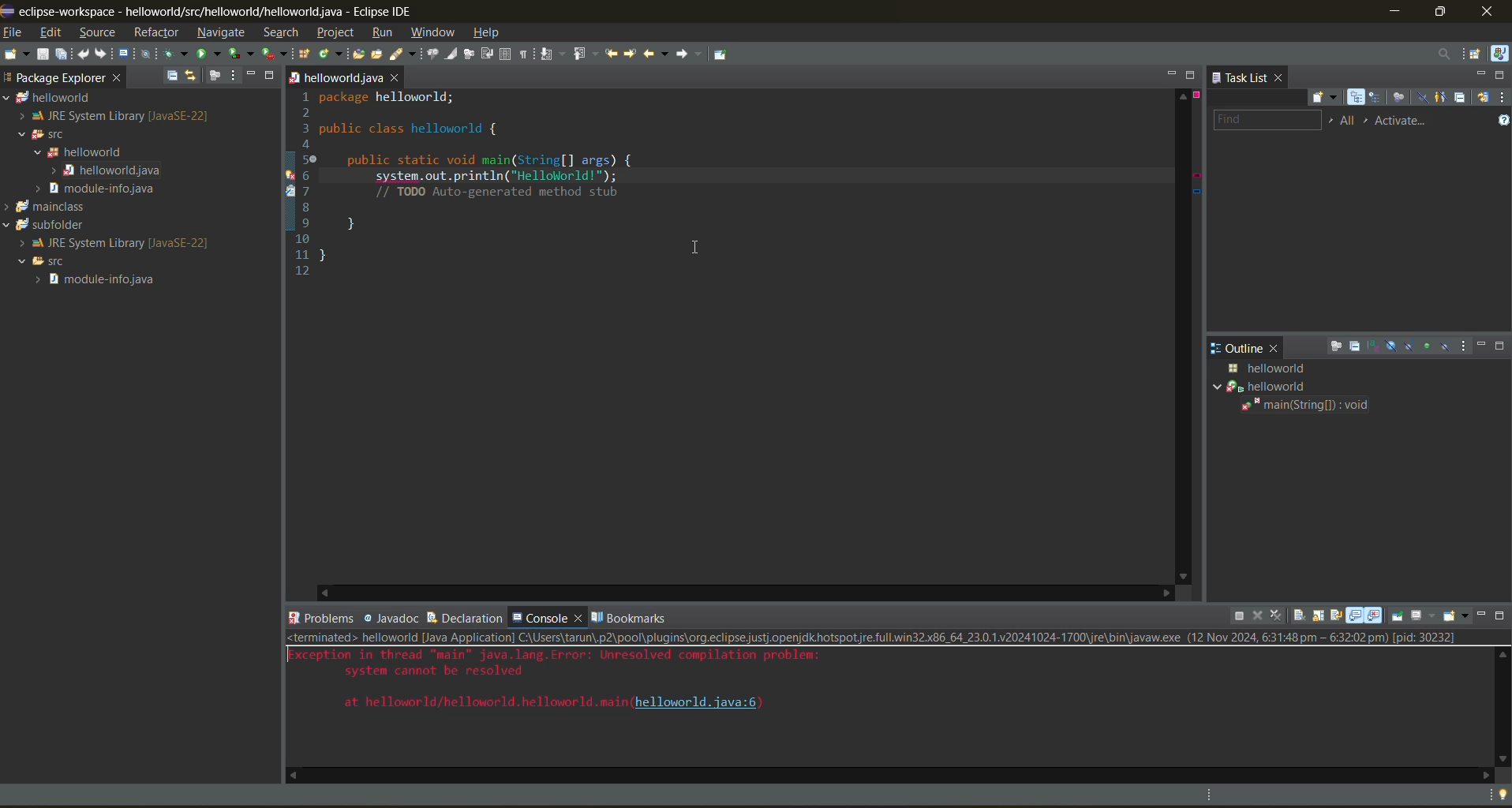  What do you see at coordinates (1299, 367) in the screenshot?
I see `java class details` at bounding box center [1299, 367].